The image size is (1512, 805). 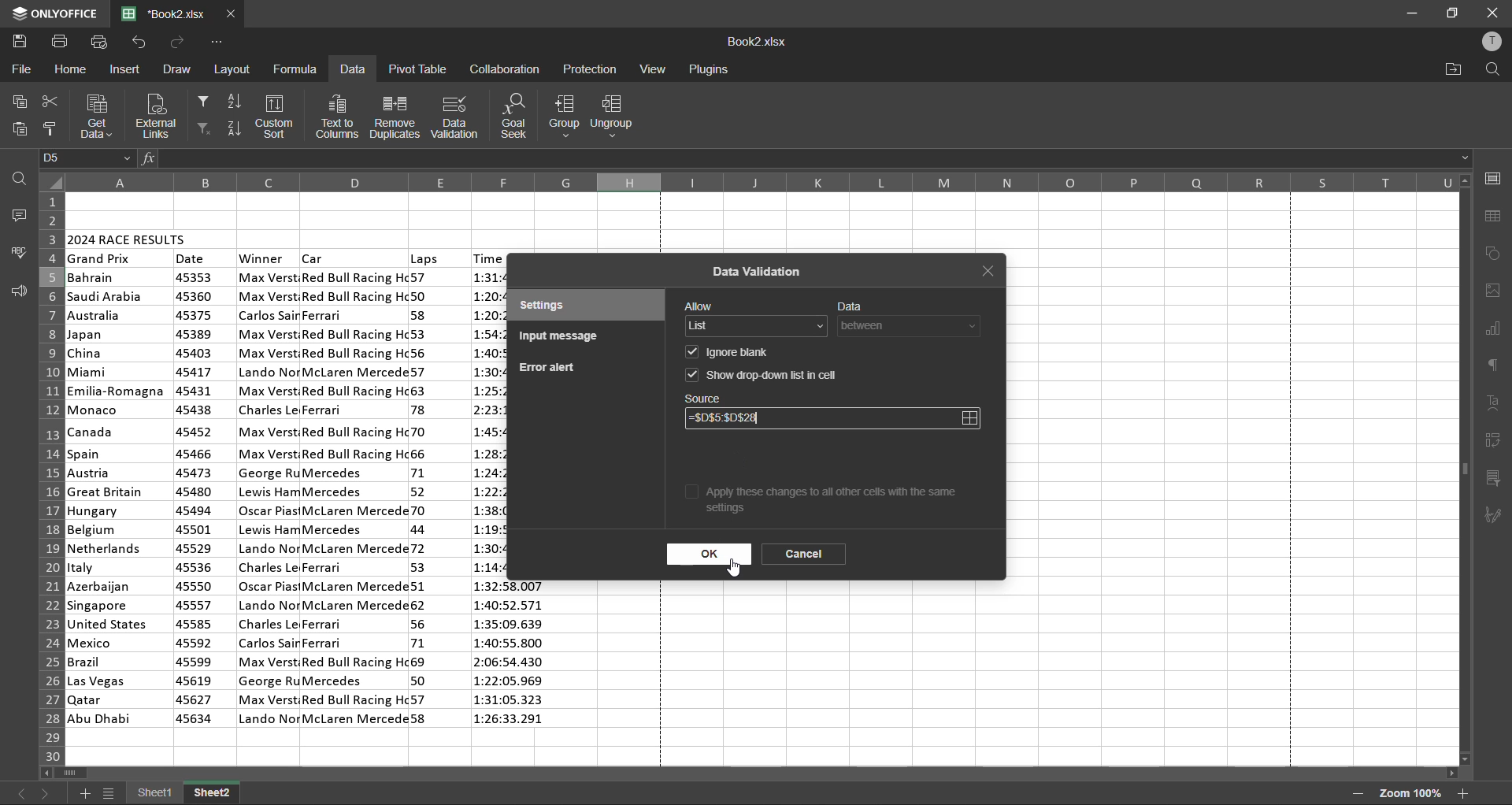 I want to click on time, so click(x=513, y=657).